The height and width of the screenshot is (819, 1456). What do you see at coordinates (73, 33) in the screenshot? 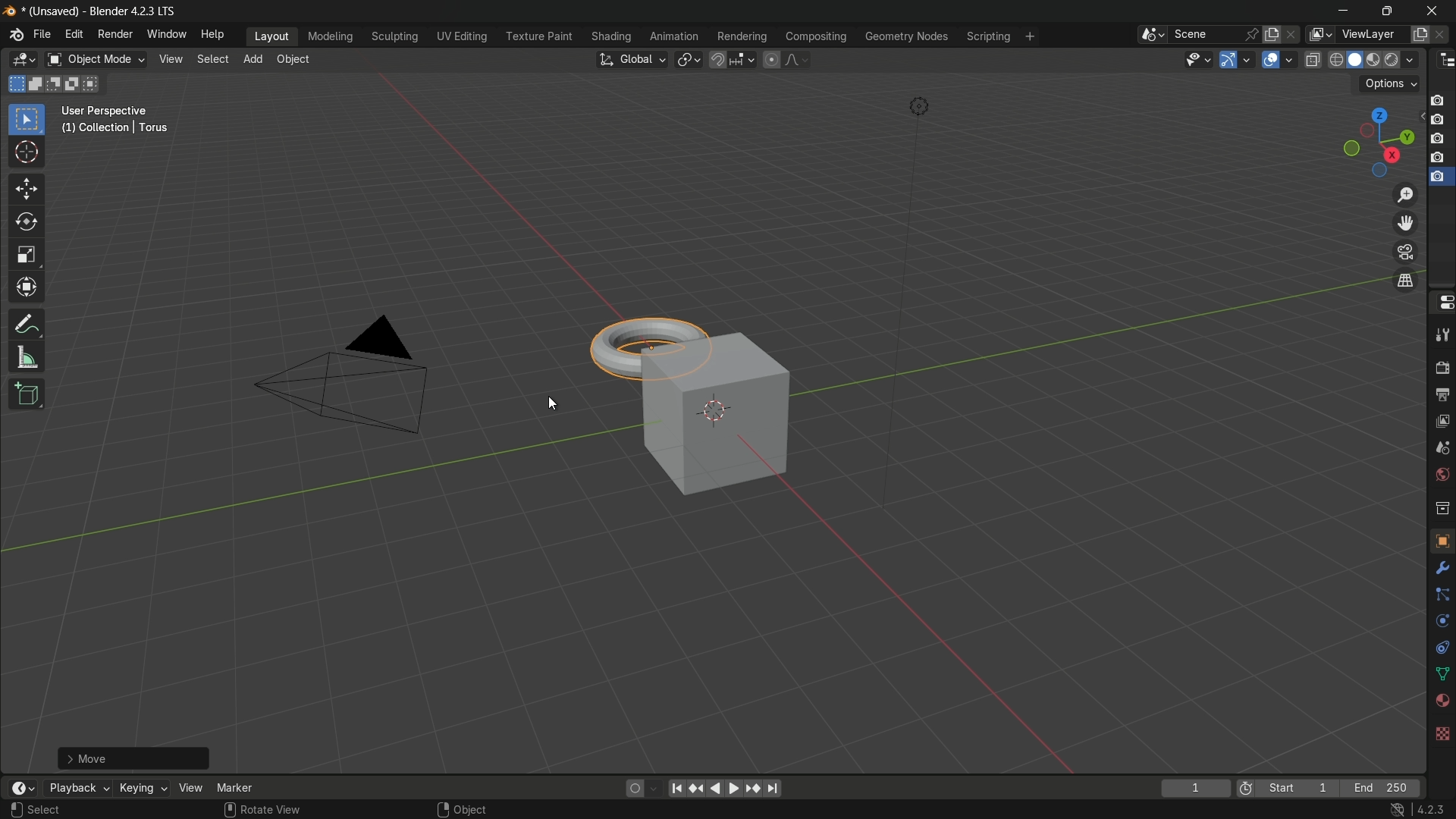
I see `edit menu` at bounding box center [73, 33].